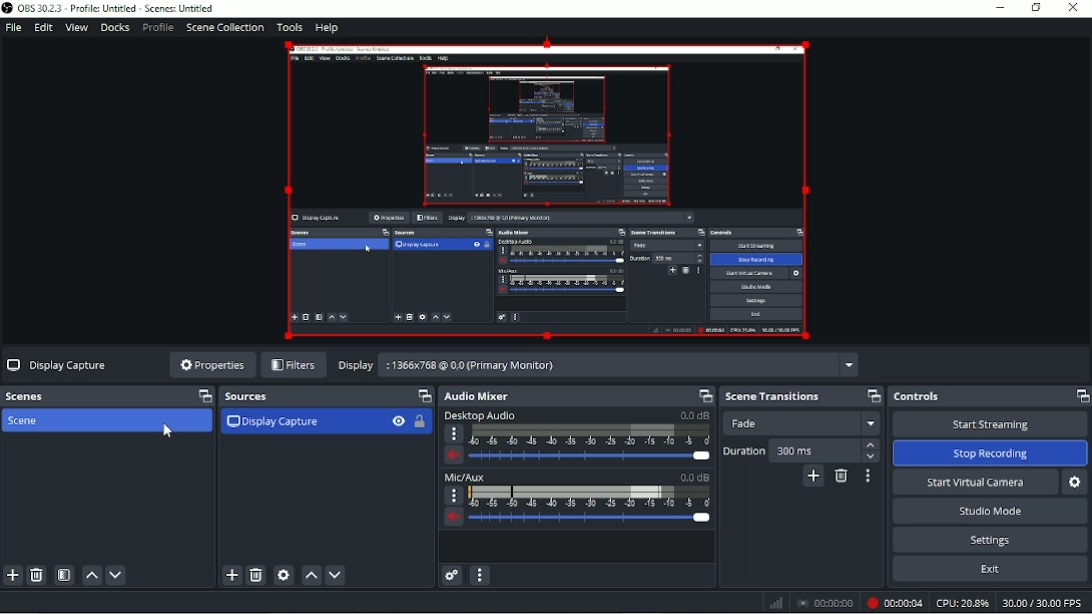 Image resolution: width=1092 pixels, height=614 pixels. Describe the element at coordinates (311, 576) in the screenshot. I see `Move source(s) up` at that location.